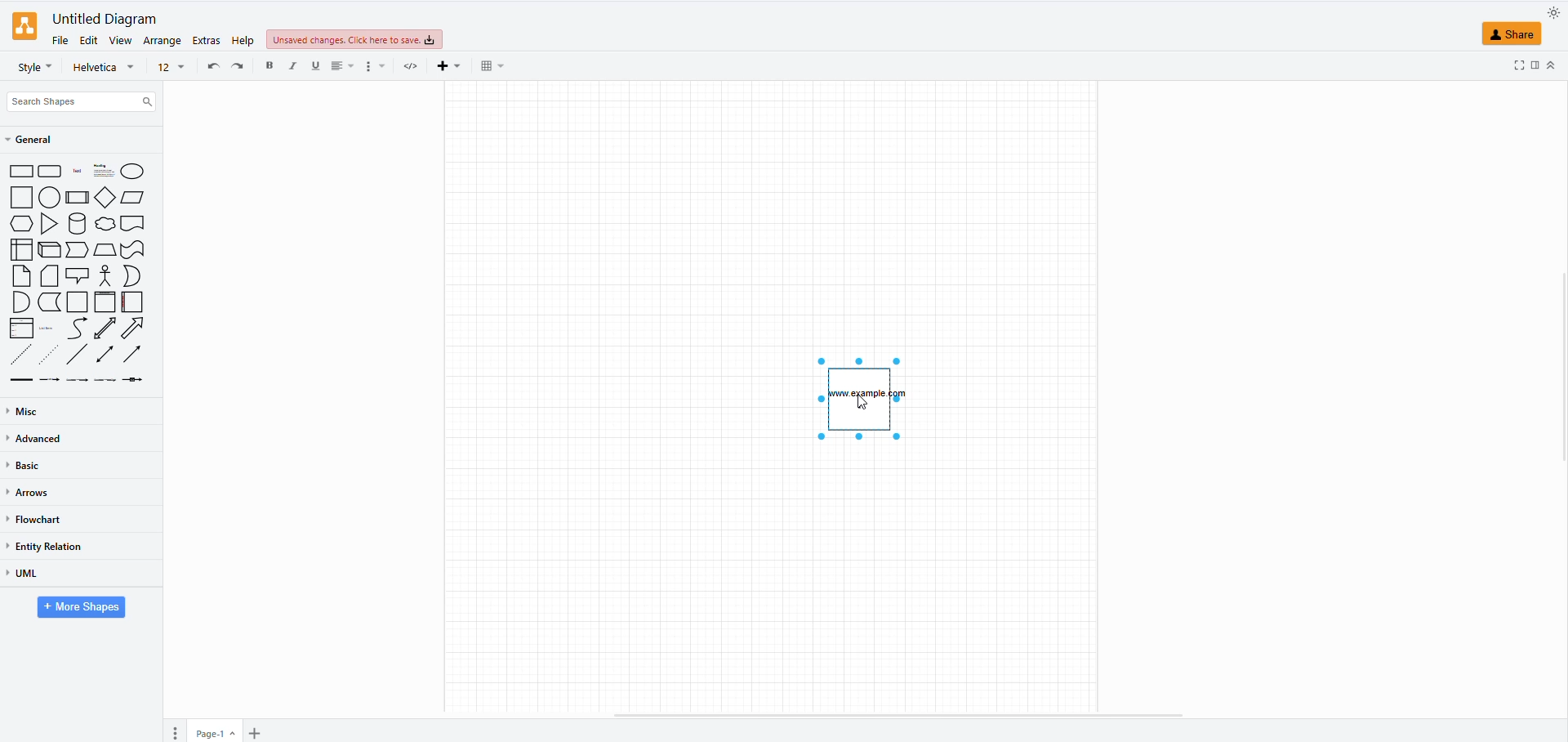 This screenshot has height=742, width=1568. Describe the element at coordinates (78, 302) in the screenshot. I see `container` at that location.